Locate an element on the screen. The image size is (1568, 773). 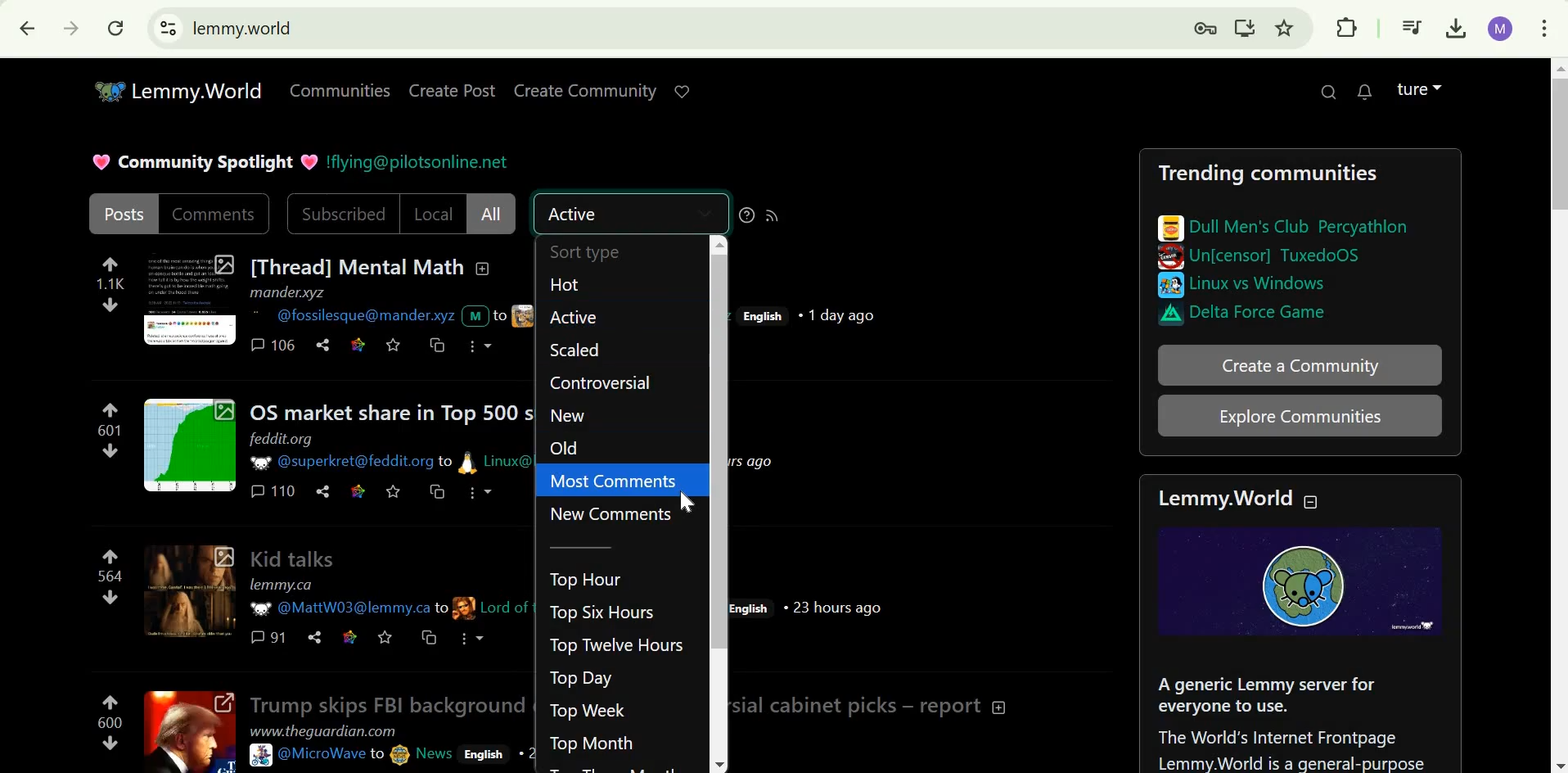
Comments is located at coordinates (212, 211).